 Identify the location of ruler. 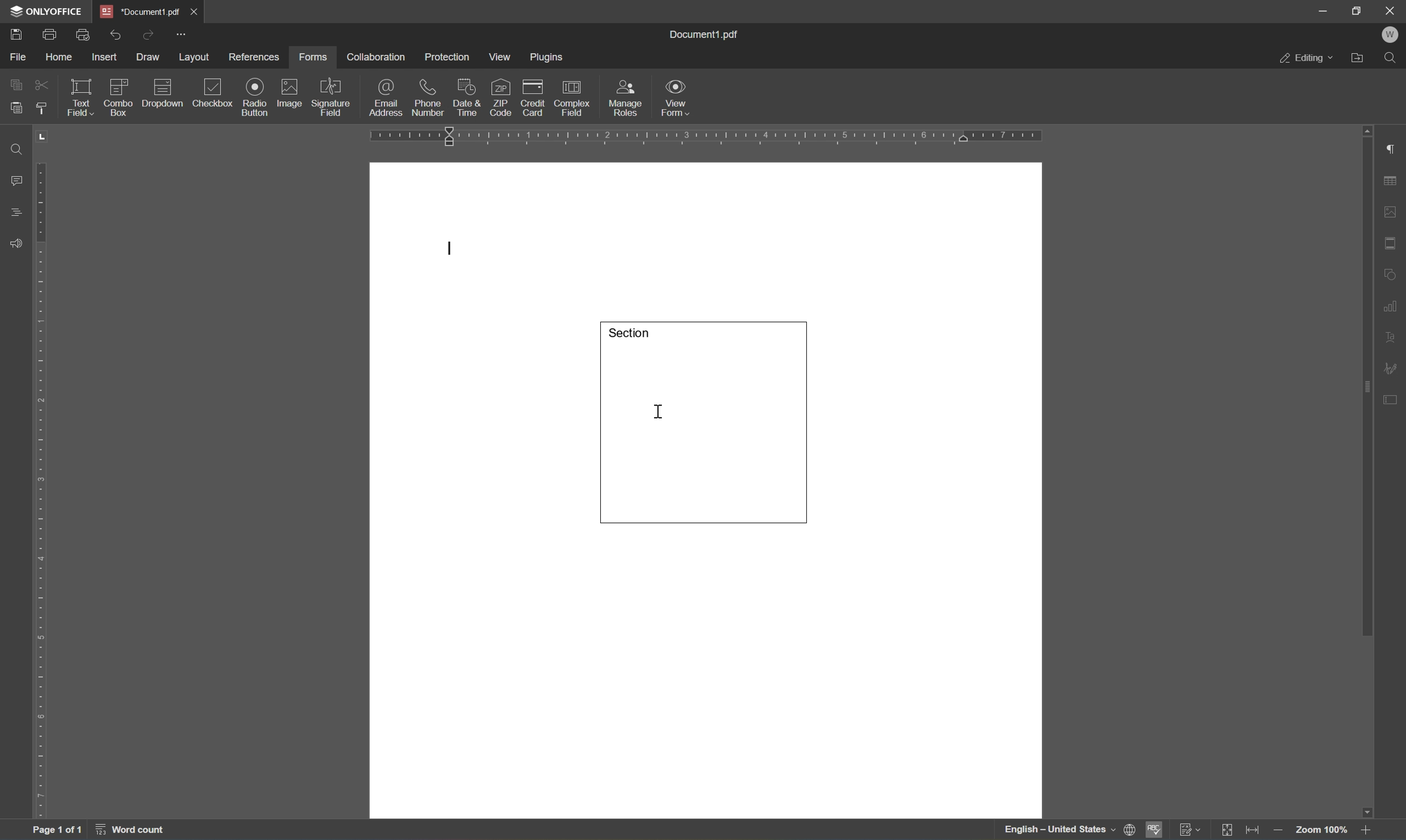
(43, 491).